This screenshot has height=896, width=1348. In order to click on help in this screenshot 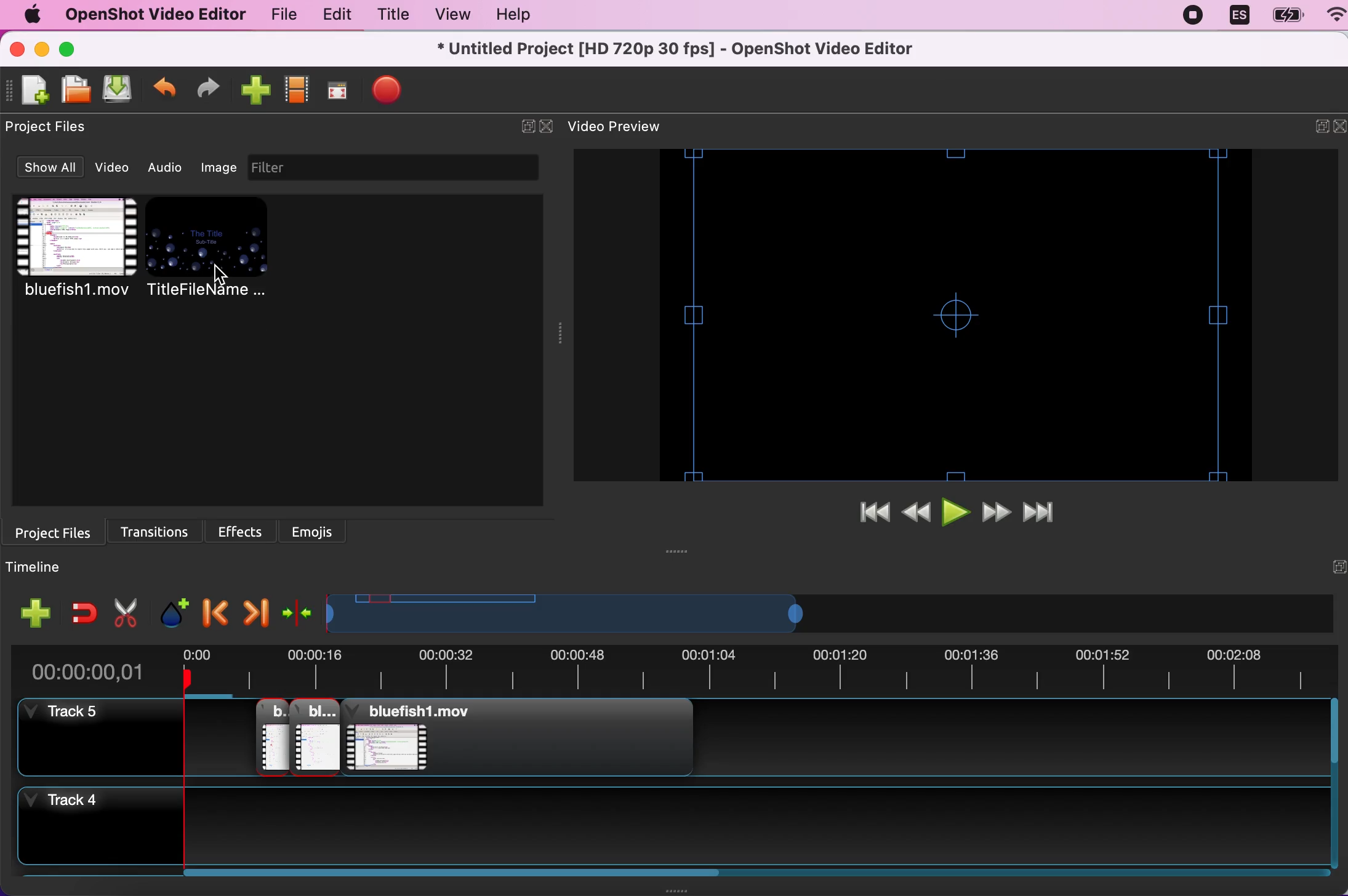, I will do `click(508, 17)`.